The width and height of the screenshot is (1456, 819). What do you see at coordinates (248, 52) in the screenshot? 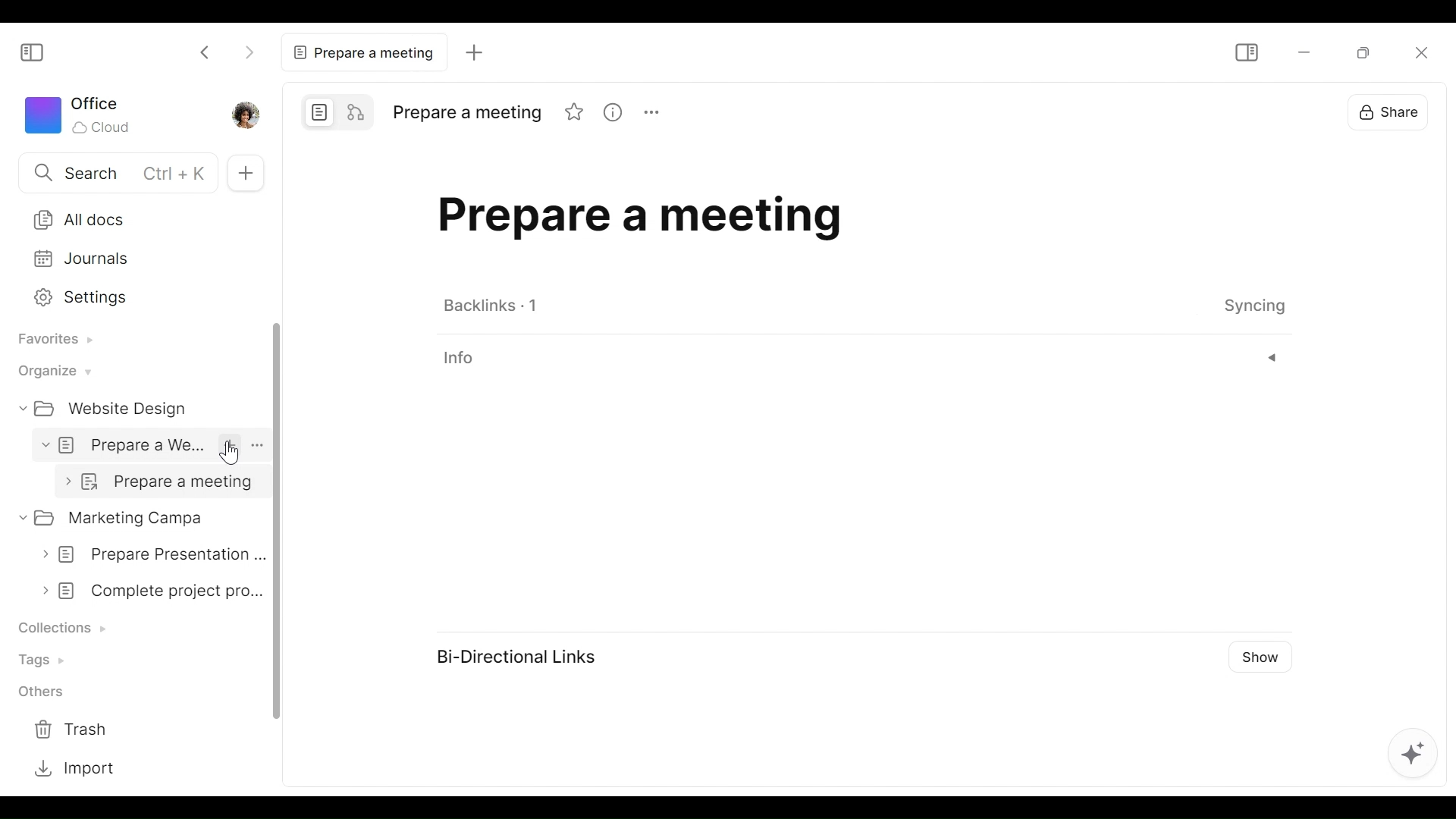
I see `Forward` at bounding box center [248, 52].